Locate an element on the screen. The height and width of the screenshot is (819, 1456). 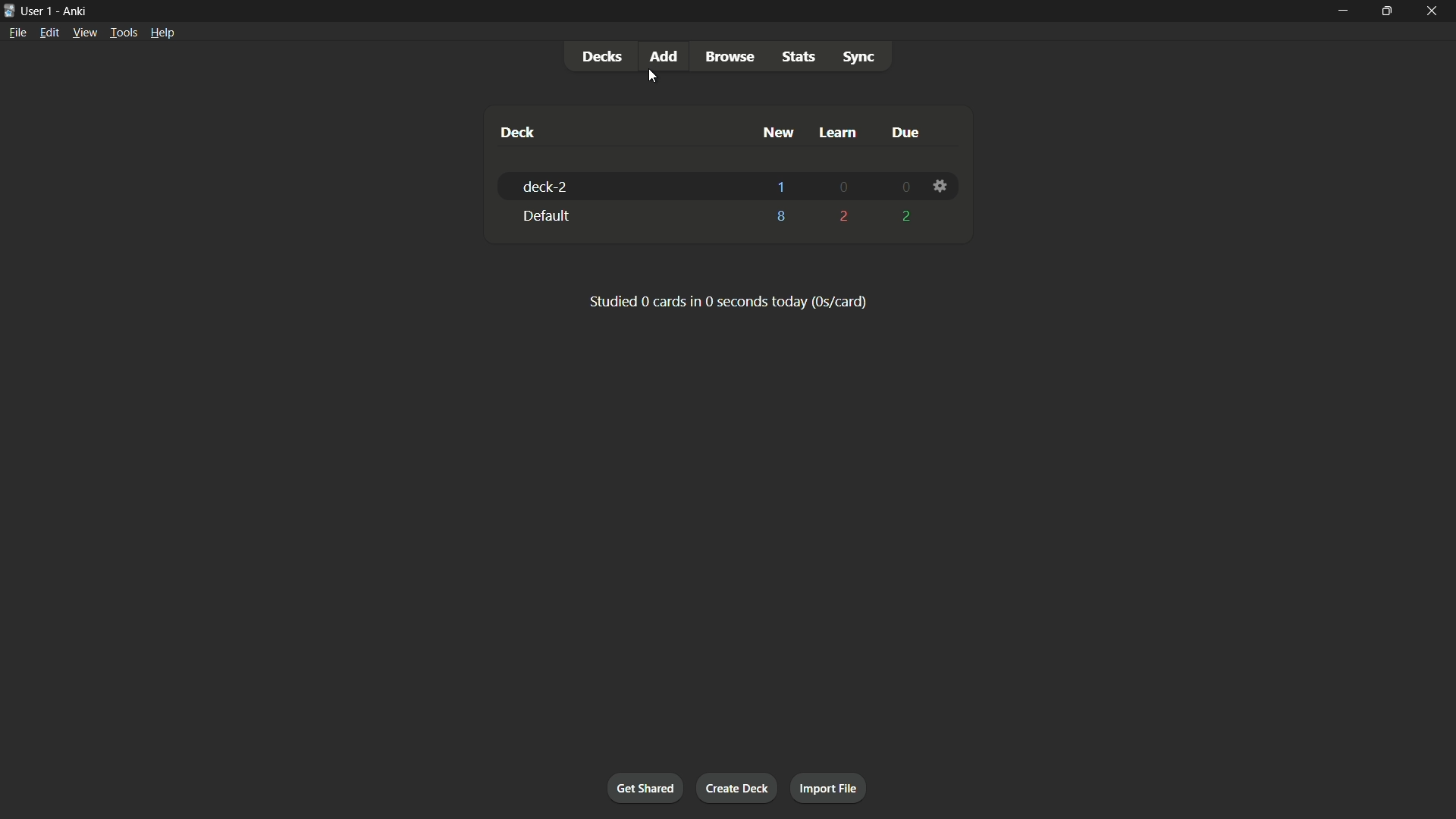
new is located at coordinates (779, 133).